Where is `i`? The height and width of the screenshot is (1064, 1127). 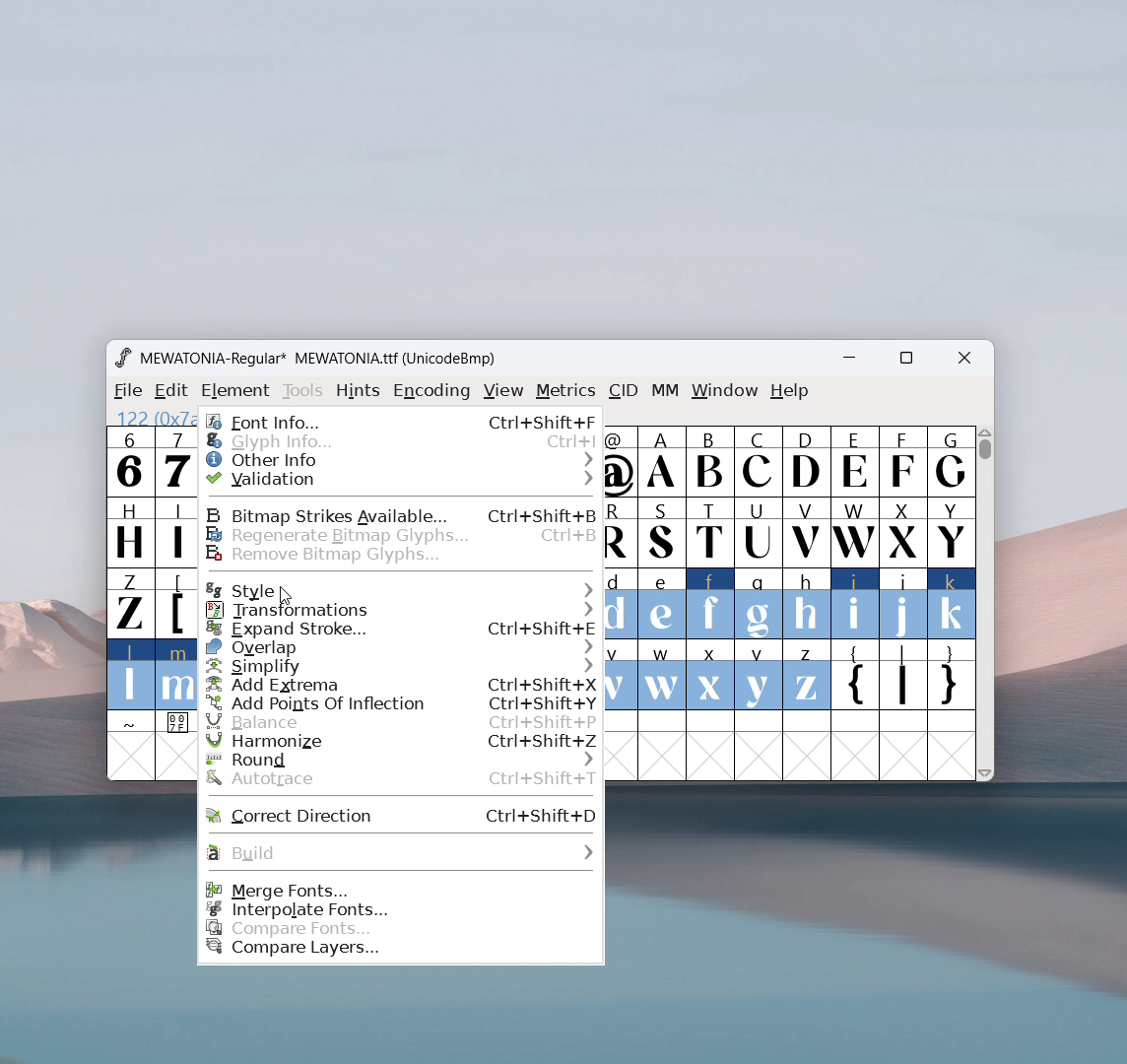 i is located at coordinates (855, 604).